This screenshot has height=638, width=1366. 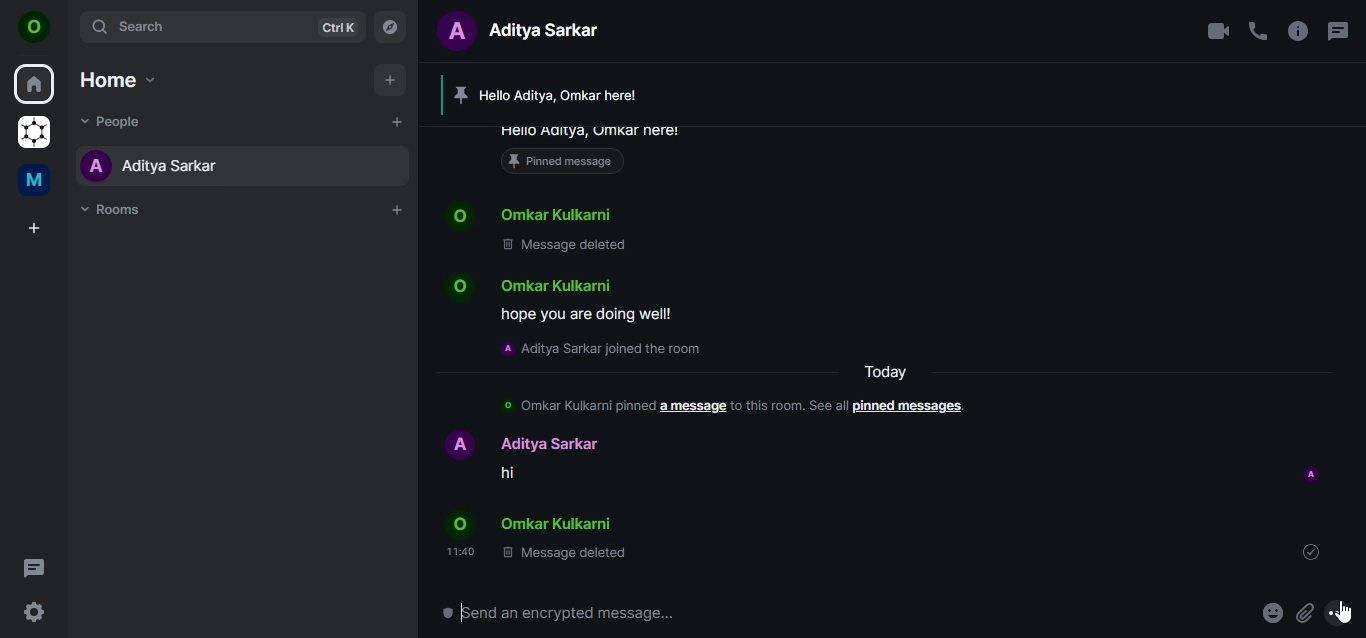 I want to click on voice call, so click(x=1258, y=31).